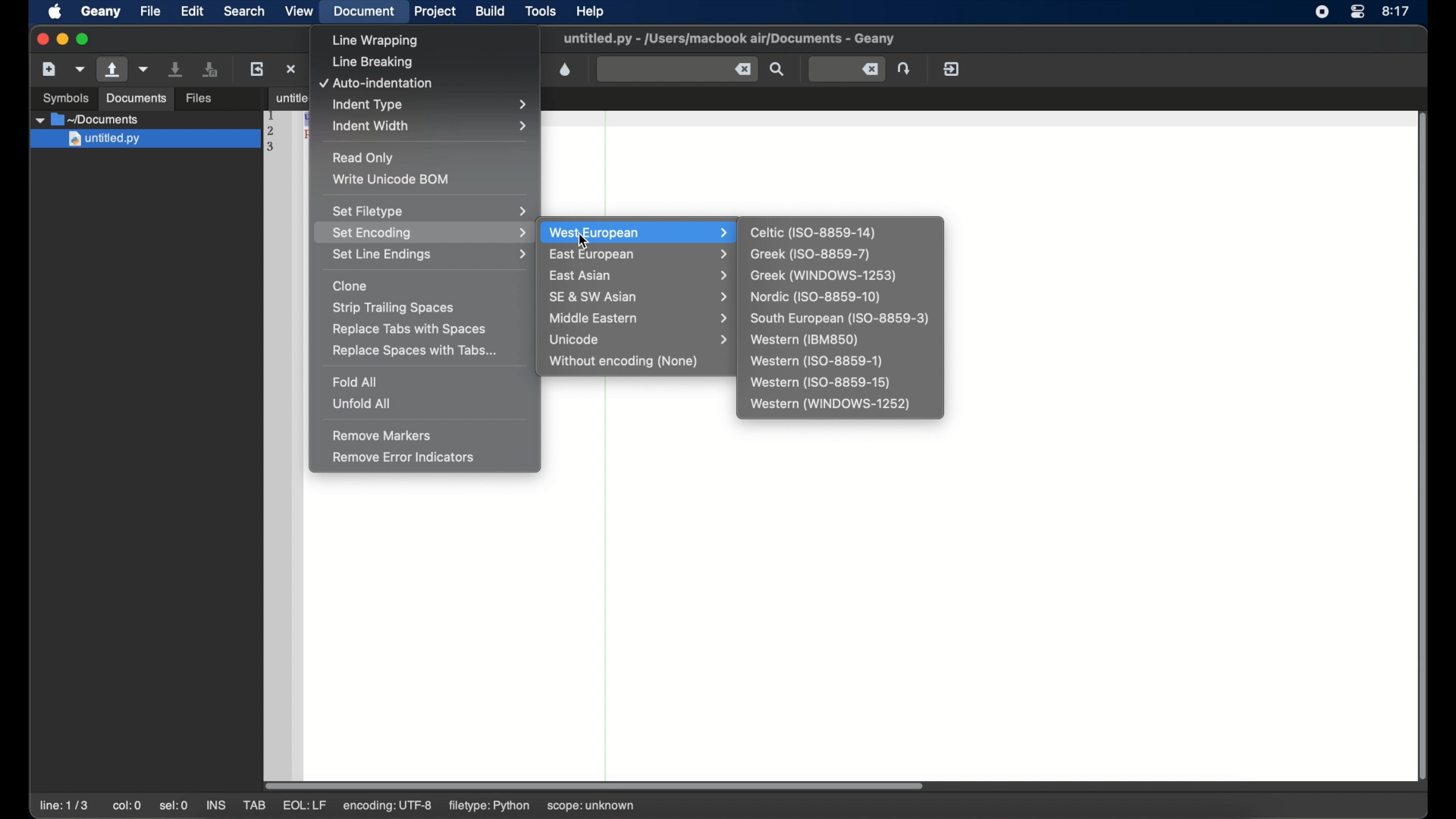 The width and height of the screenshot is (1456, 819). Describe the element at coordinates (67, 98) in the screenshot. I see `symbols` at that location.